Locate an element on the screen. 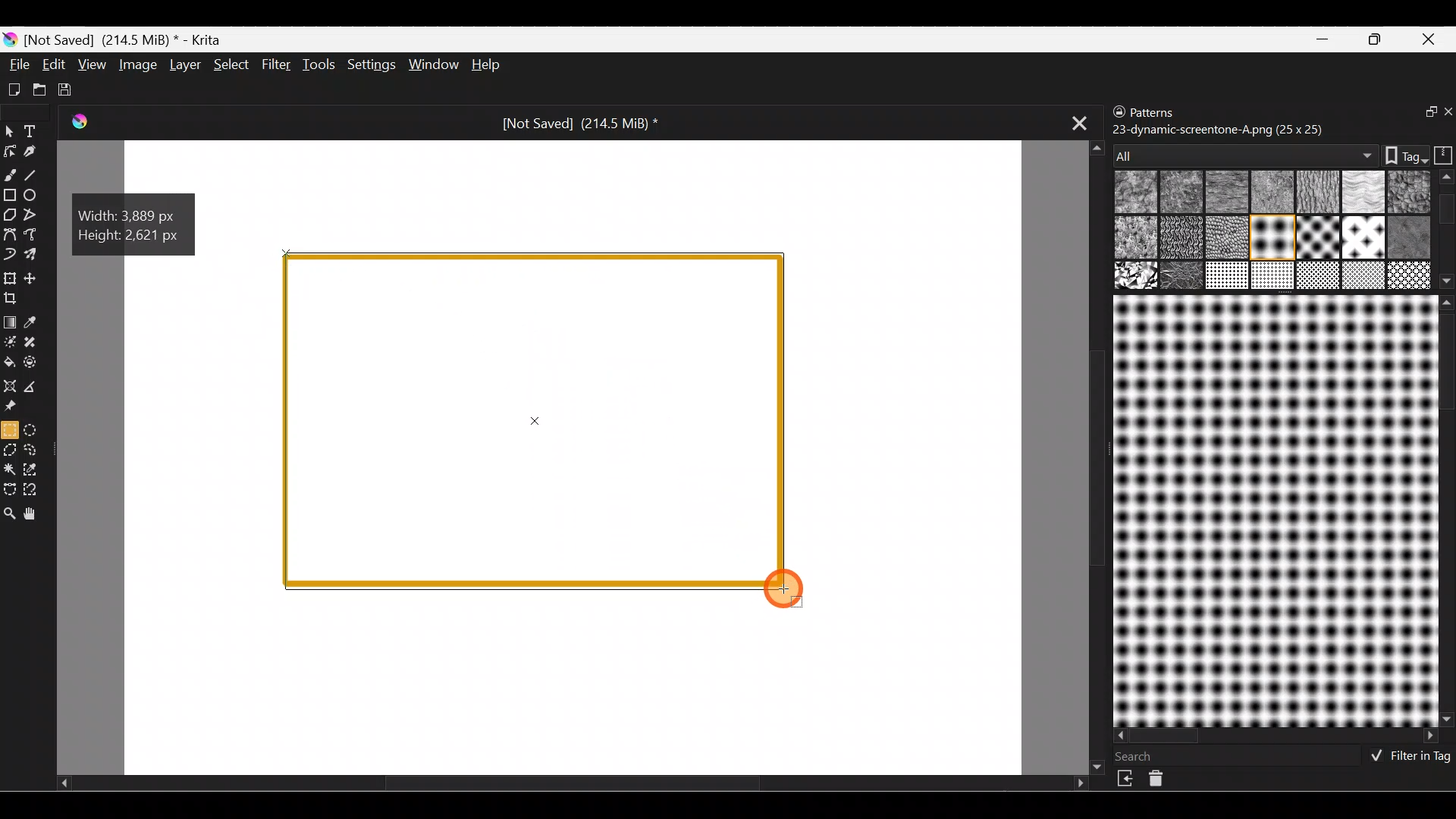  View is located at coordinates (92, 63).